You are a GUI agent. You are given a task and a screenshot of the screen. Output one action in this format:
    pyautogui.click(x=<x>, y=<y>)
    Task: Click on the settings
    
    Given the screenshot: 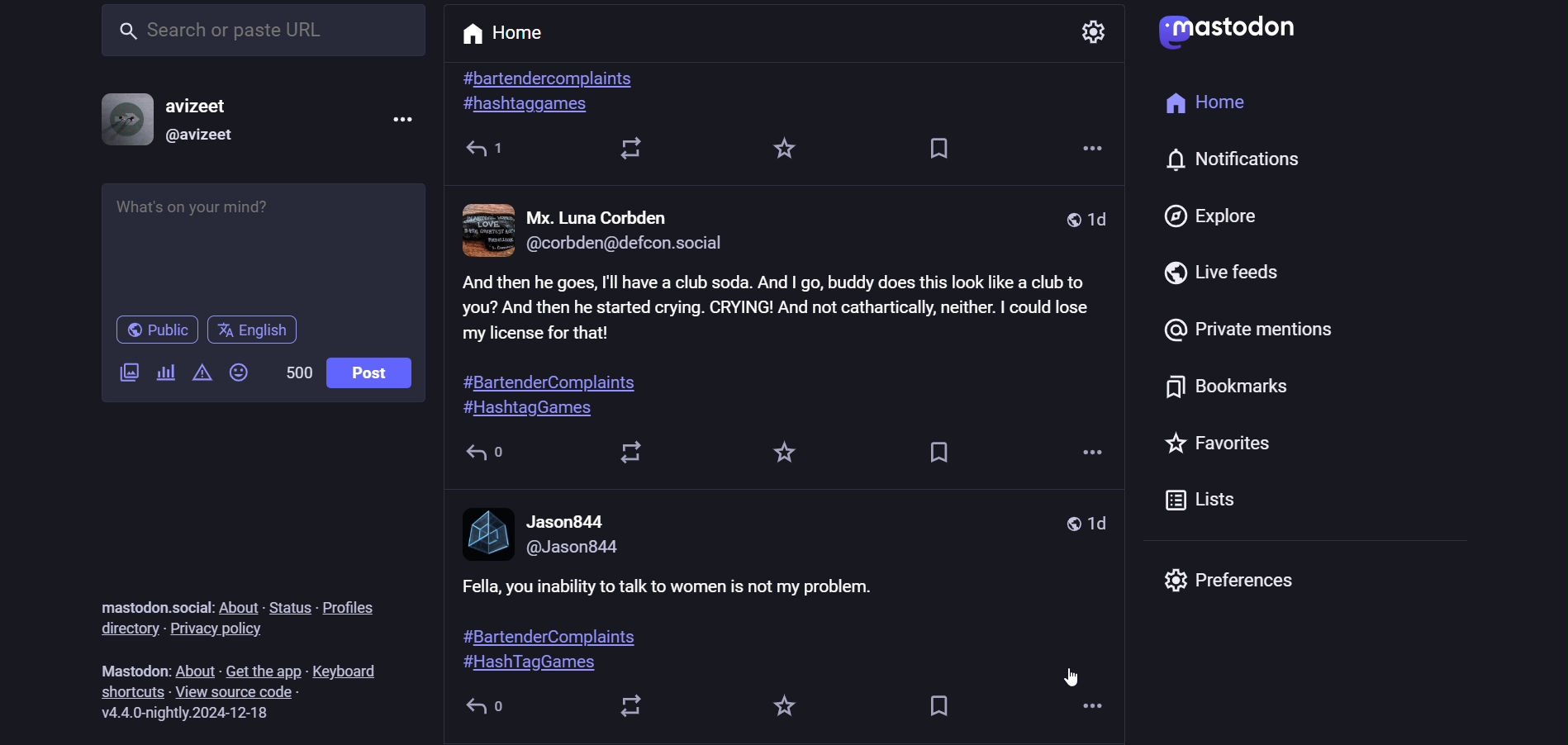 What is the action you would take?
    pyautogui.click(x=1098, y=31)
    